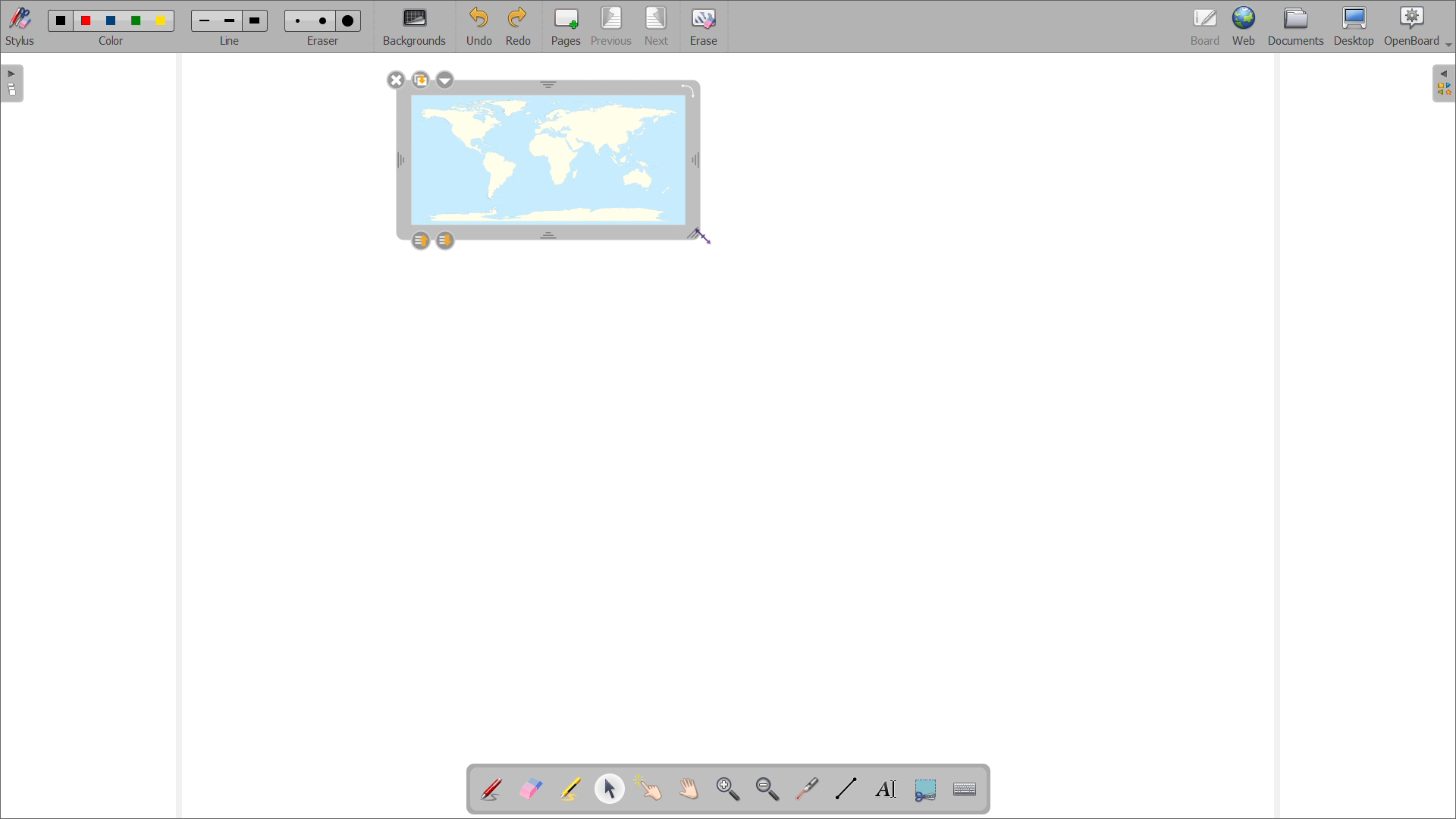 This screenshot has width=1456, height=819. Describe the element at coordinates (549, 85) in the screenshot. I see `resize` at that location.